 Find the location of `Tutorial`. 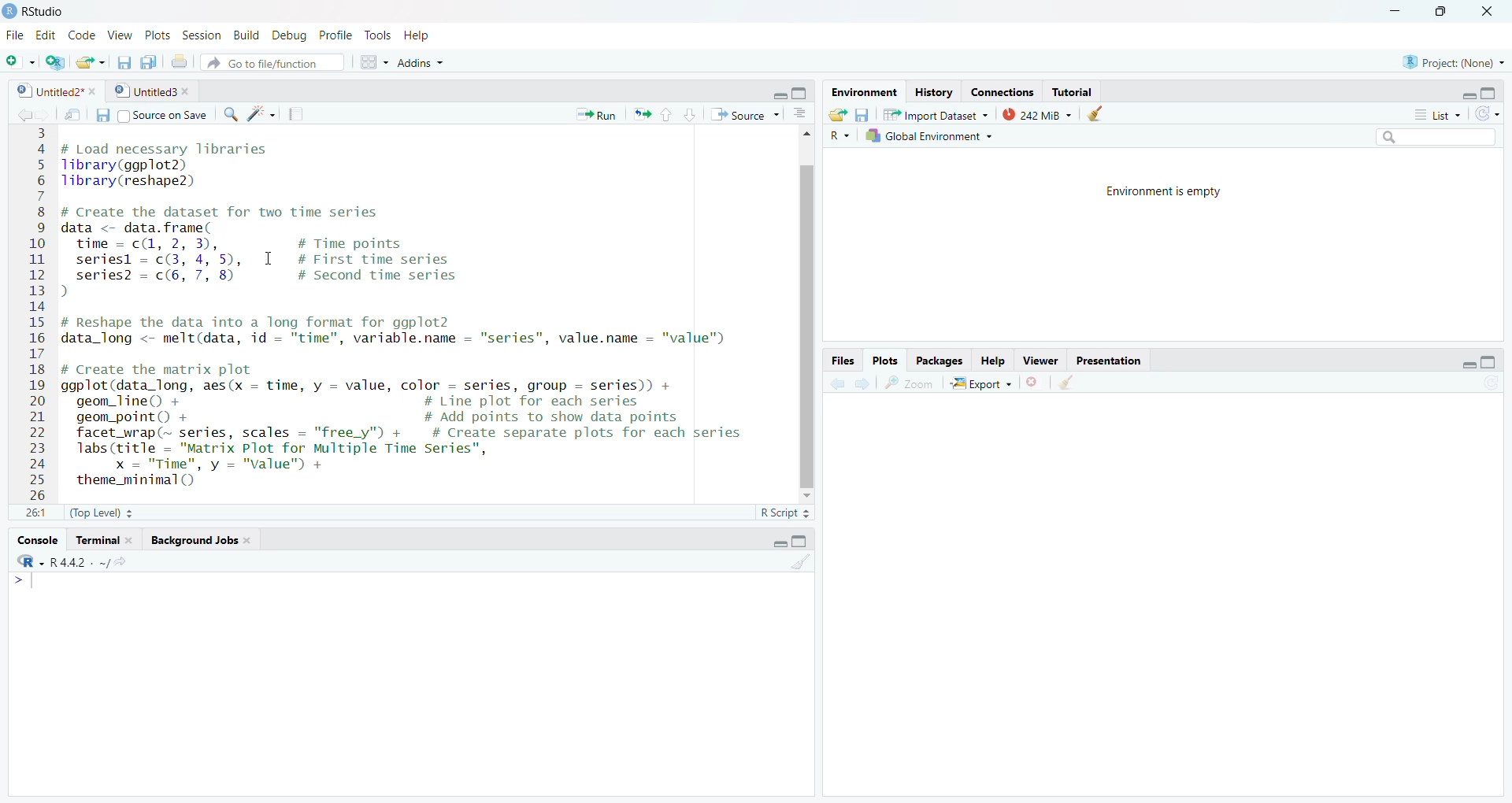

Tutorial is located at coordinates (1073, 92).